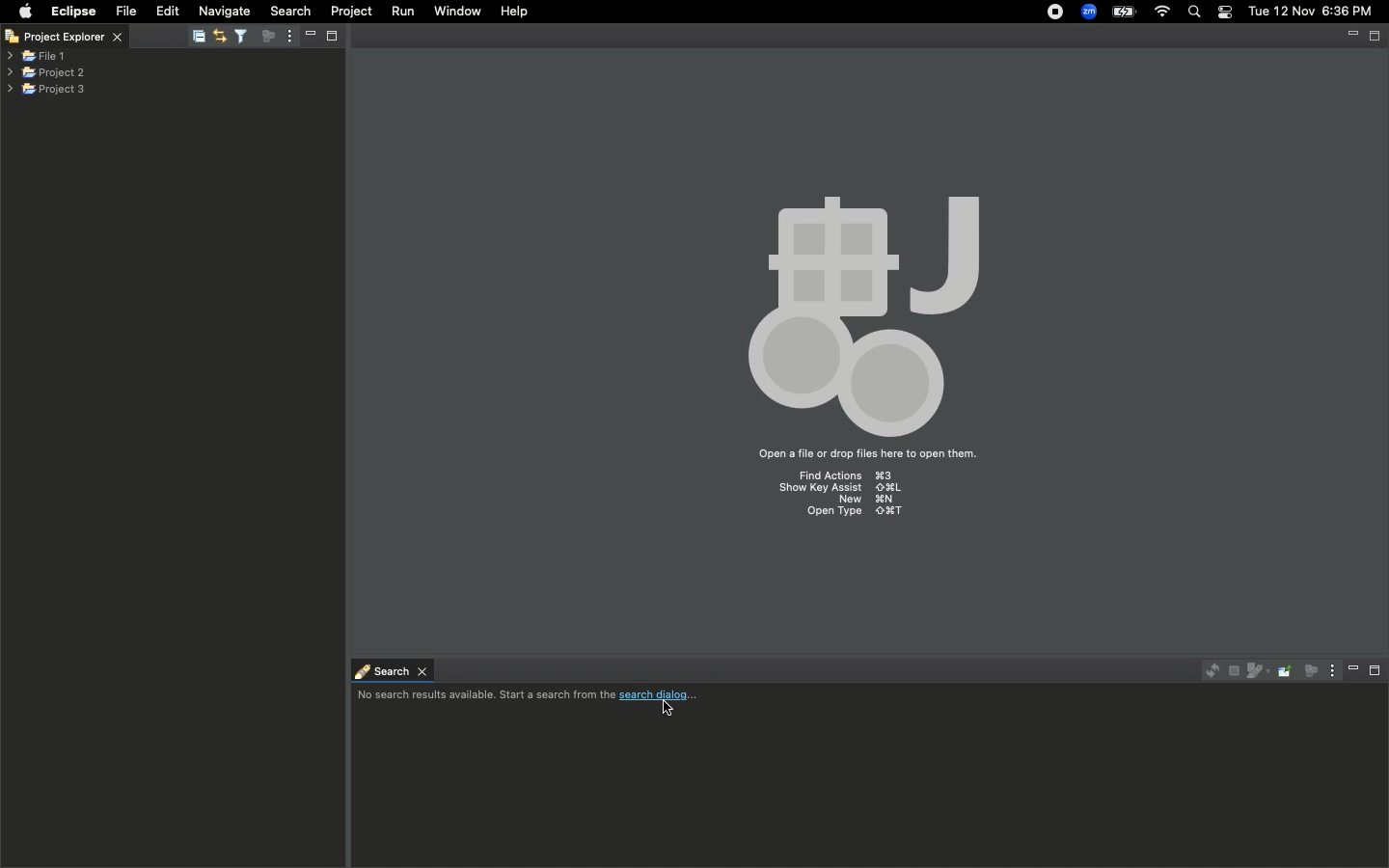 The width and height of the screenshot is (1389, 868). Describe the element at coordinates (453, 11) in the screenshot. I see `Window` at that location.